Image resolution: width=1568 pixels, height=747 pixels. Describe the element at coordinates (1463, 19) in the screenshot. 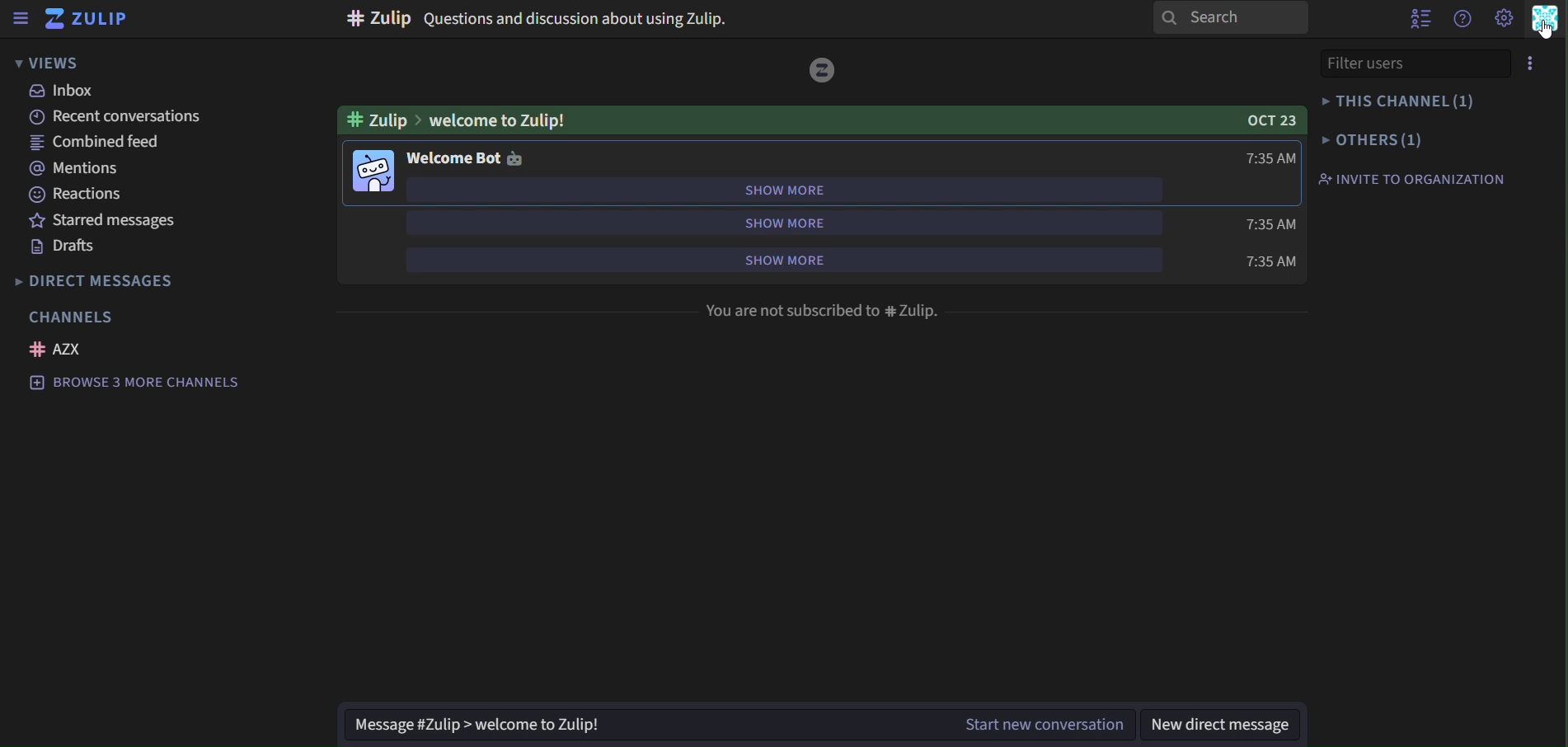

I see `help menu` at that location.